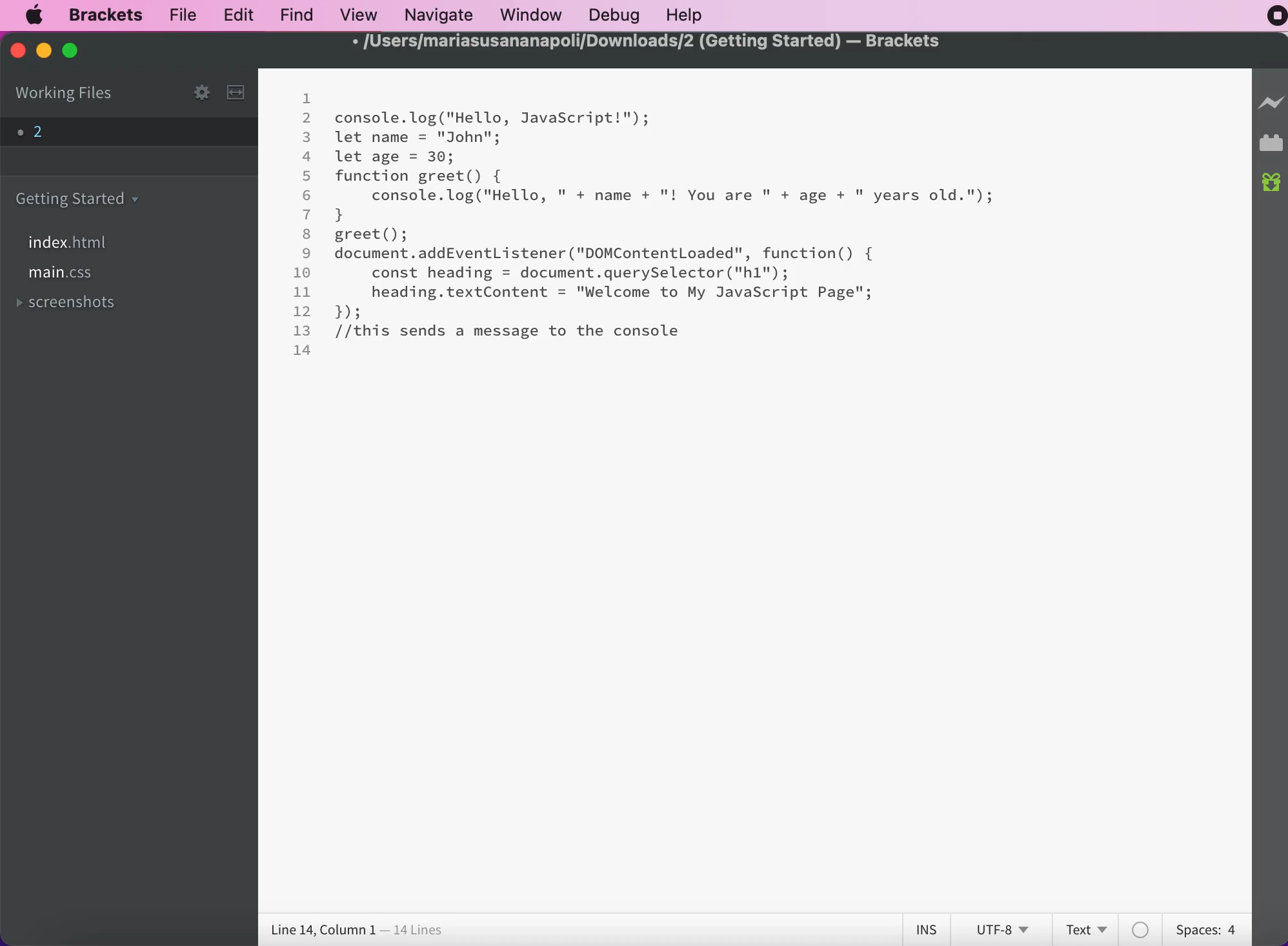  I want to click on live preview, so click(1271, 103).